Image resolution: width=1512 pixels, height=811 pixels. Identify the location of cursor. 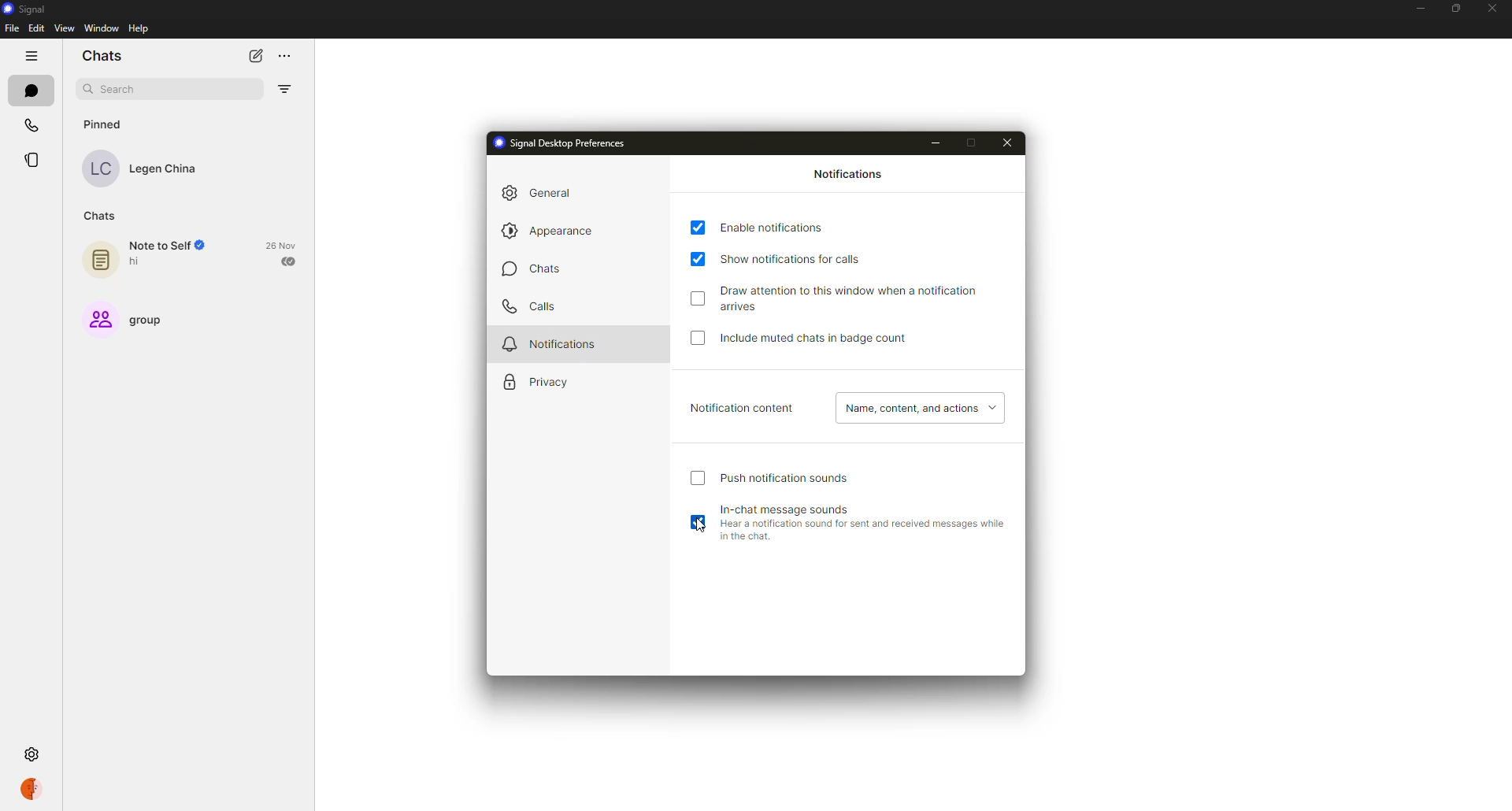
(699, 525).